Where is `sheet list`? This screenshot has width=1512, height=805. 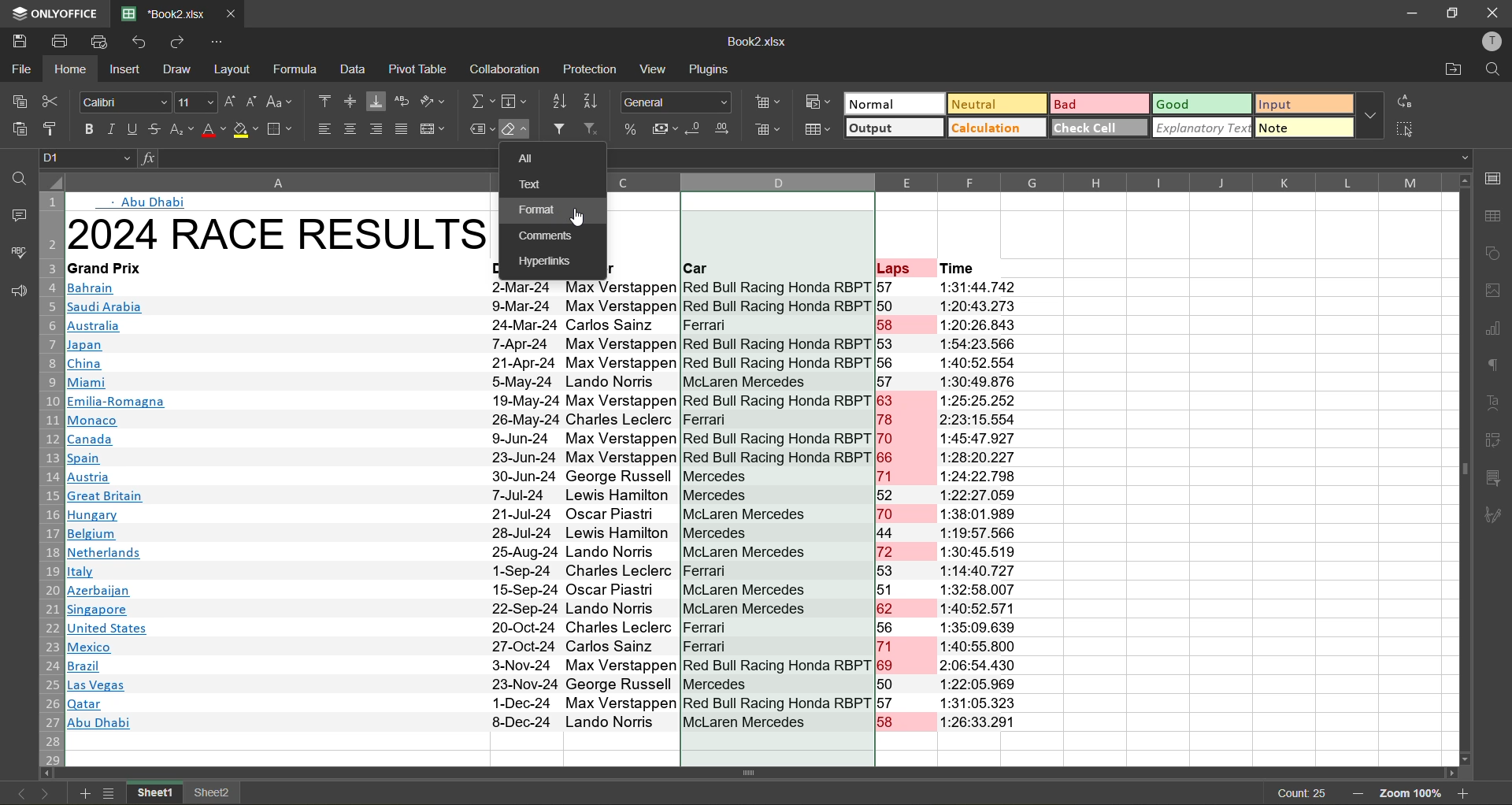
sheet list is located at coordinates (110, 795).